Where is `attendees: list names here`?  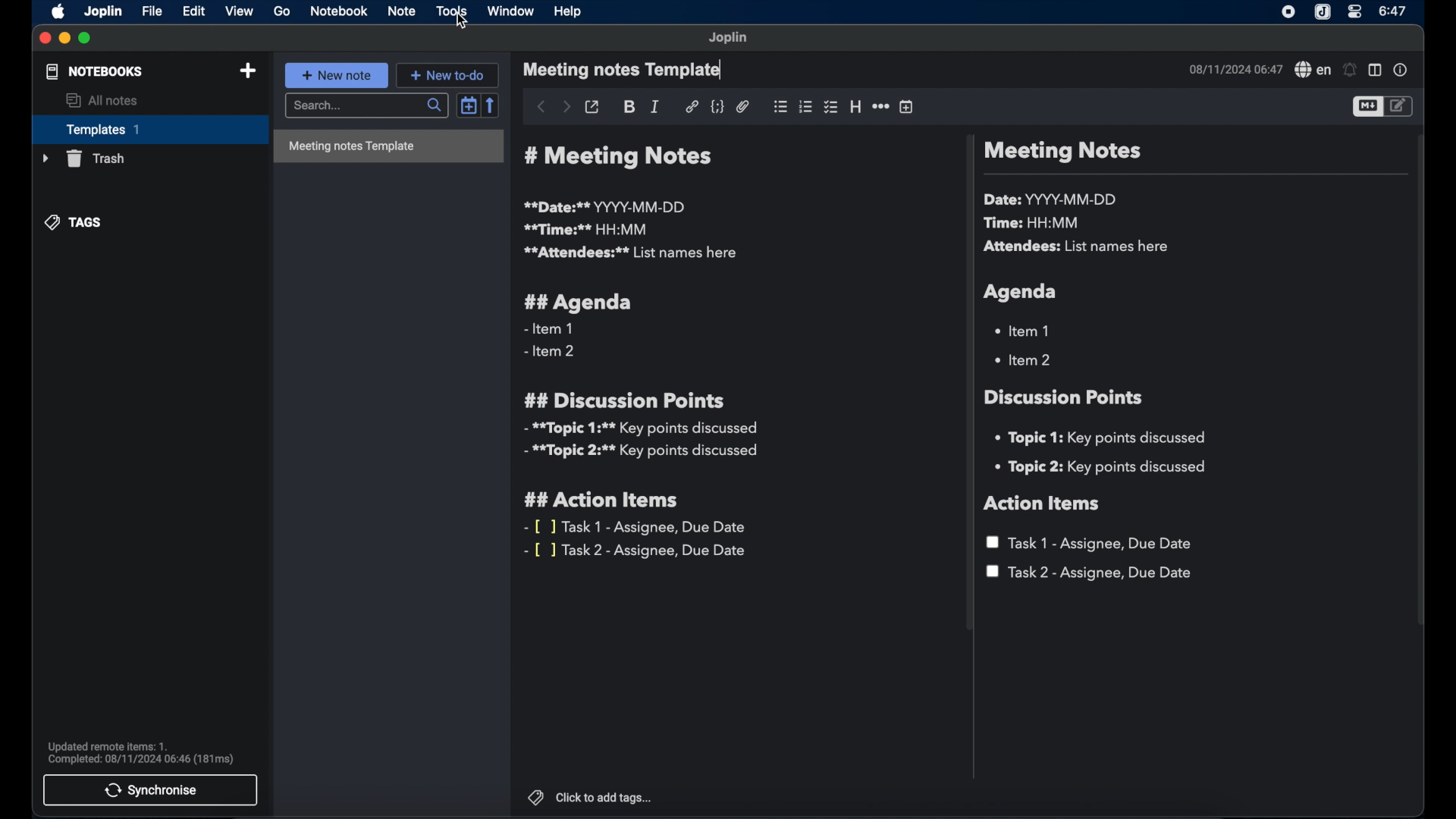
attendees: list names here is located at coordinates (1079, 247).